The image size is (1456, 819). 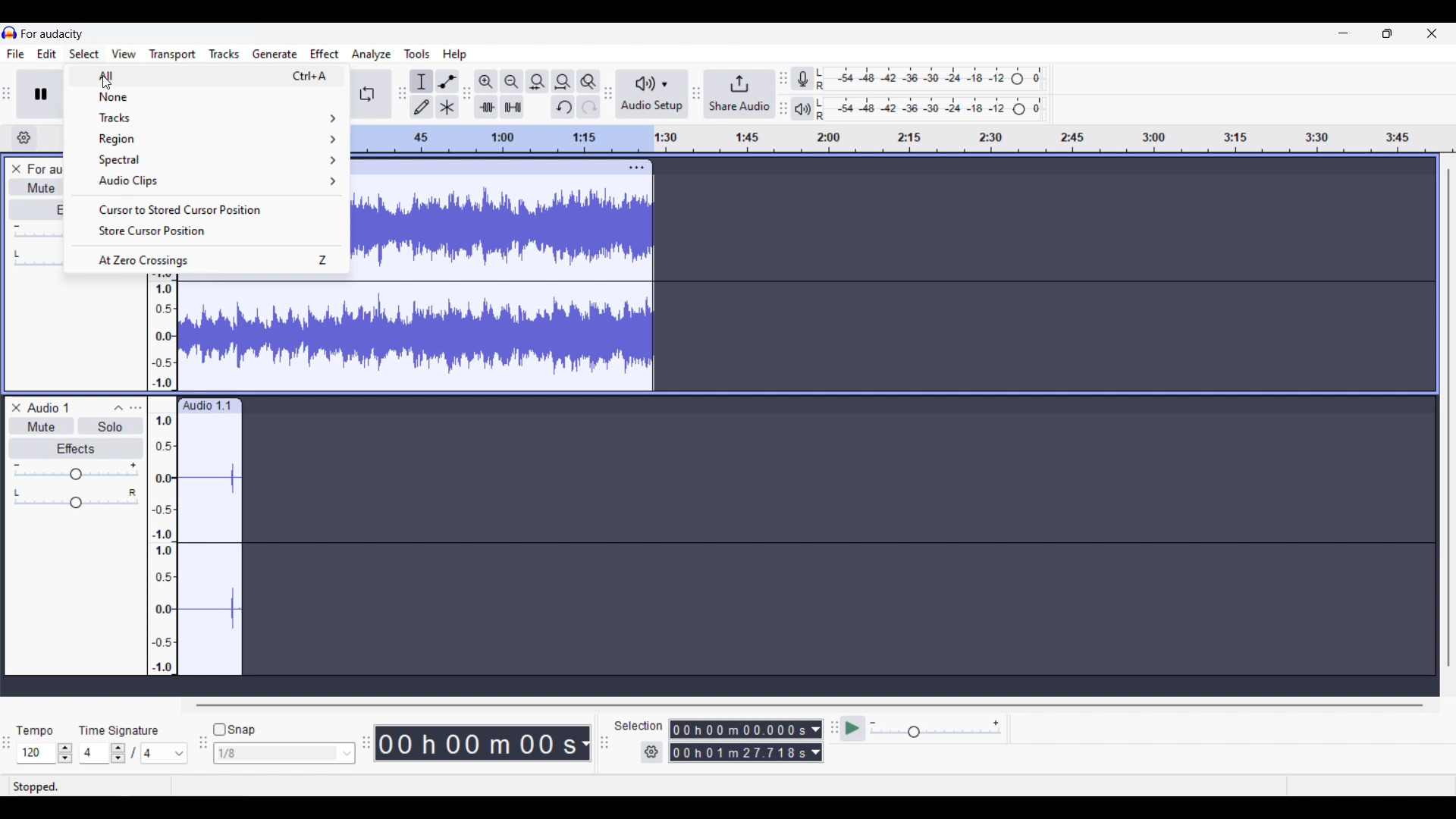 What do you see at coordinates (585, 743) in the screenshot?
I see `Duration measurement` at bounding box center [585, 743].